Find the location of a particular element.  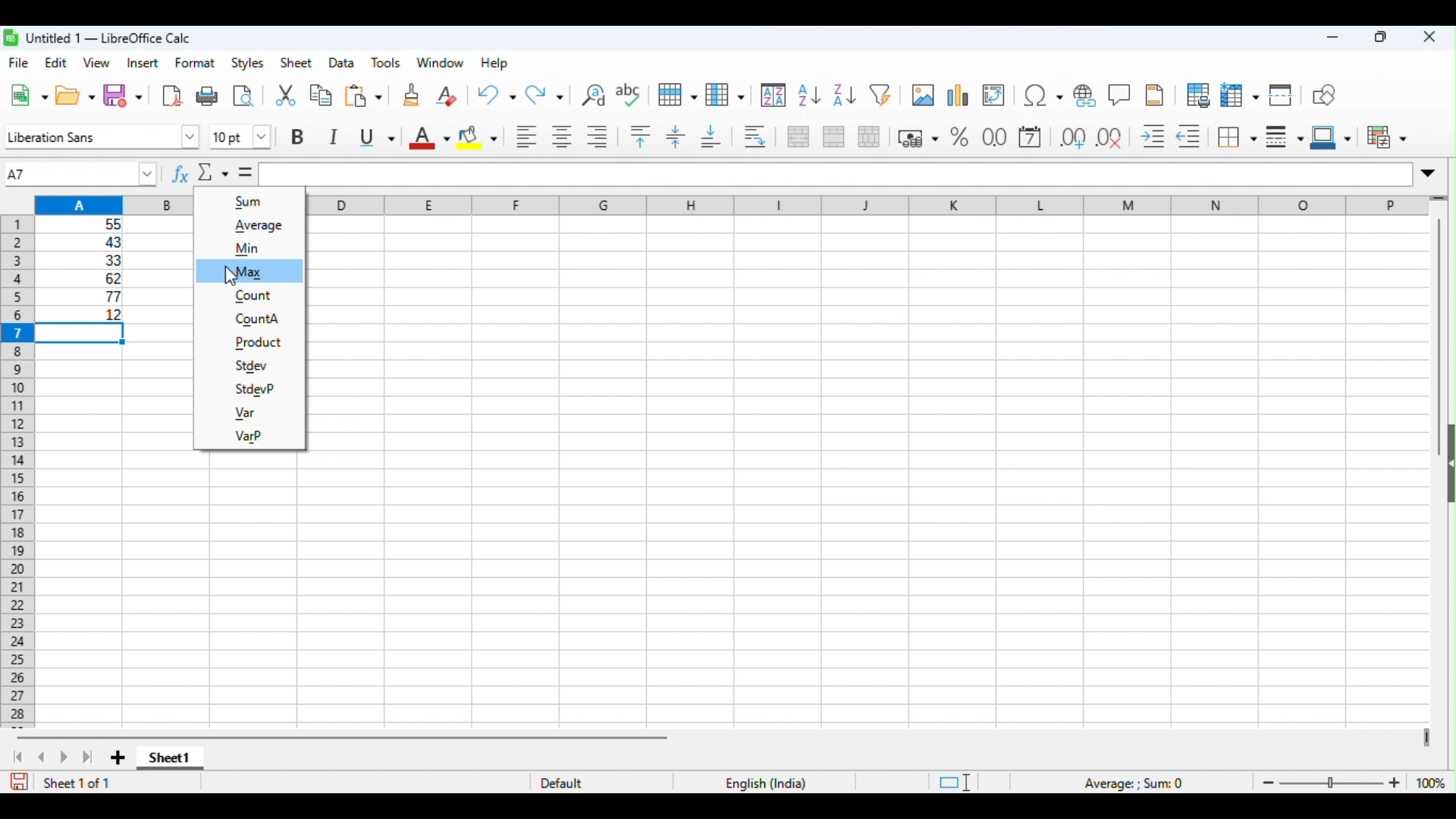

export pdf is located at coordinates (170, 96).